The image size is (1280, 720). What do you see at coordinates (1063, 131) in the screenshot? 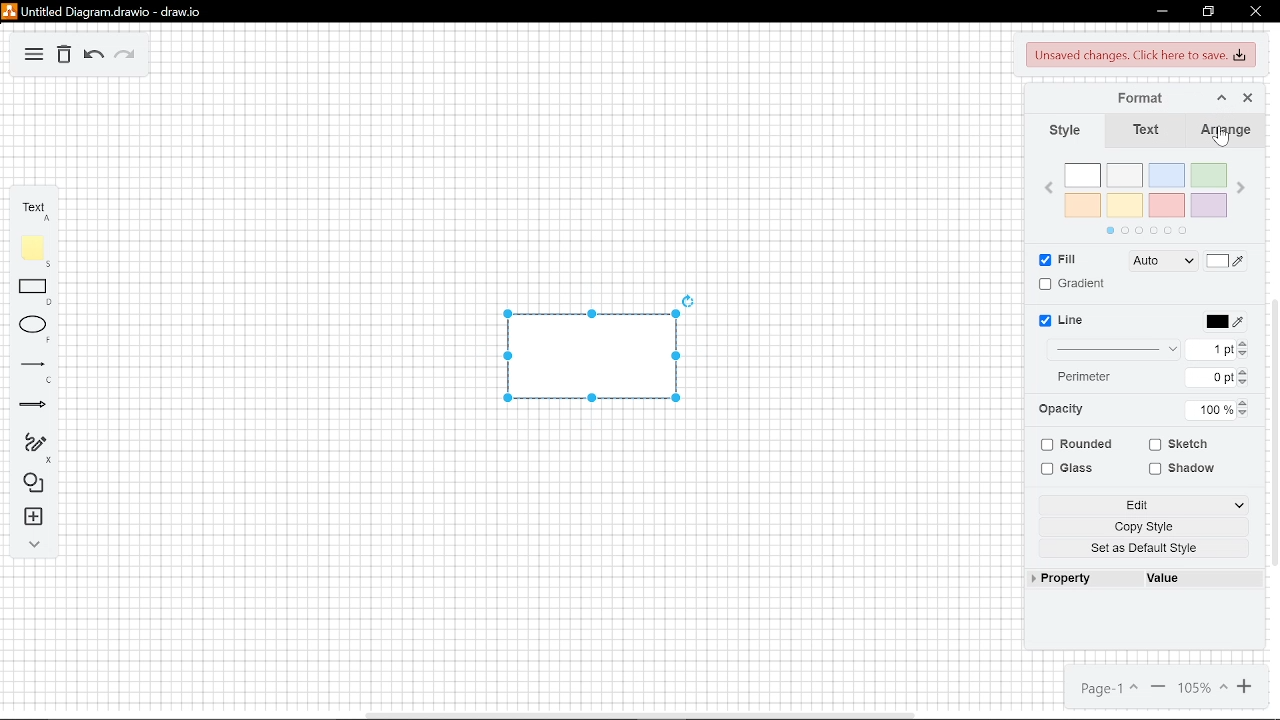
I see `style` at bounding box center [1063, 131].